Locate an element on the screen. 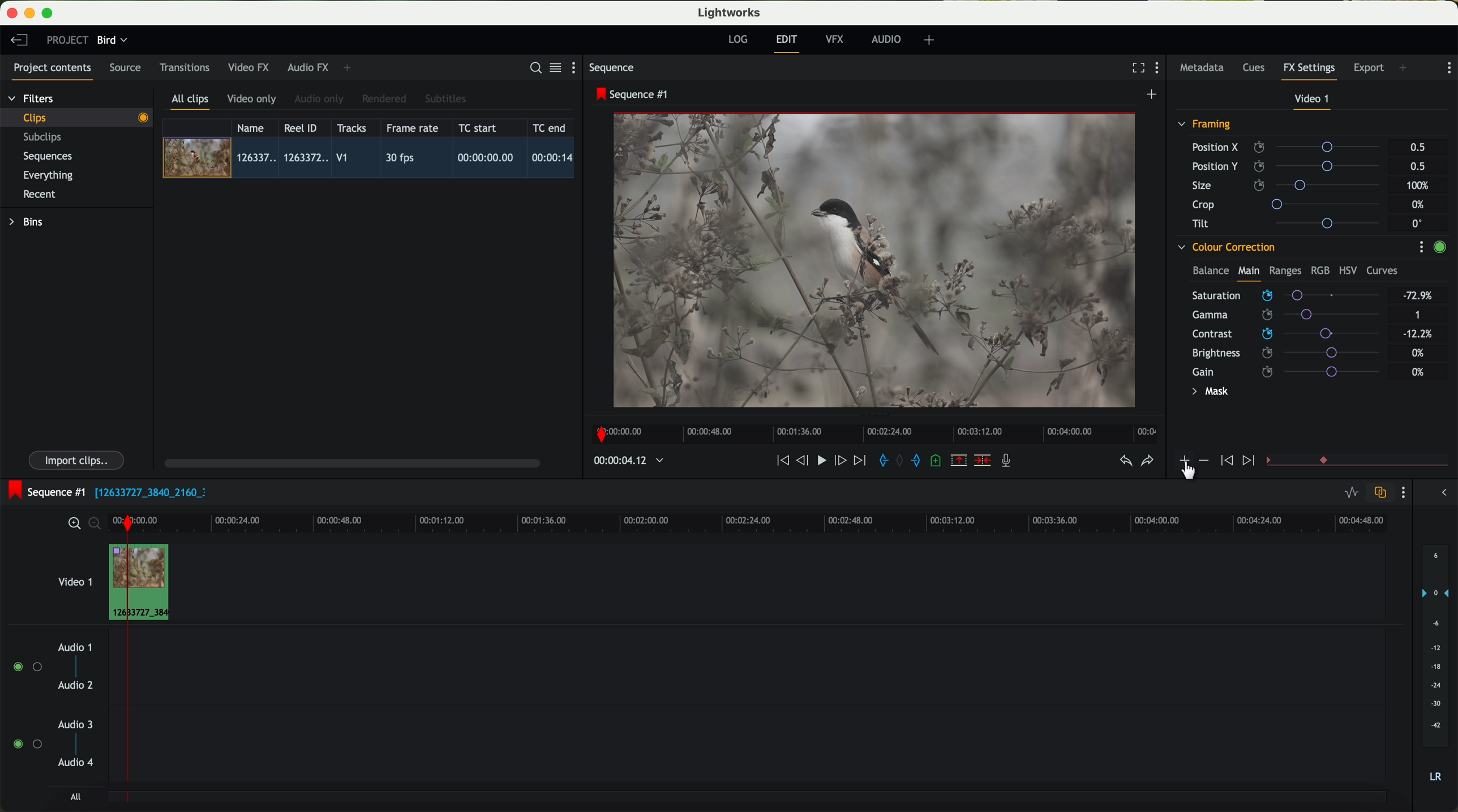 The image size is (1458, 812). source is located at coordinates (125, 68).